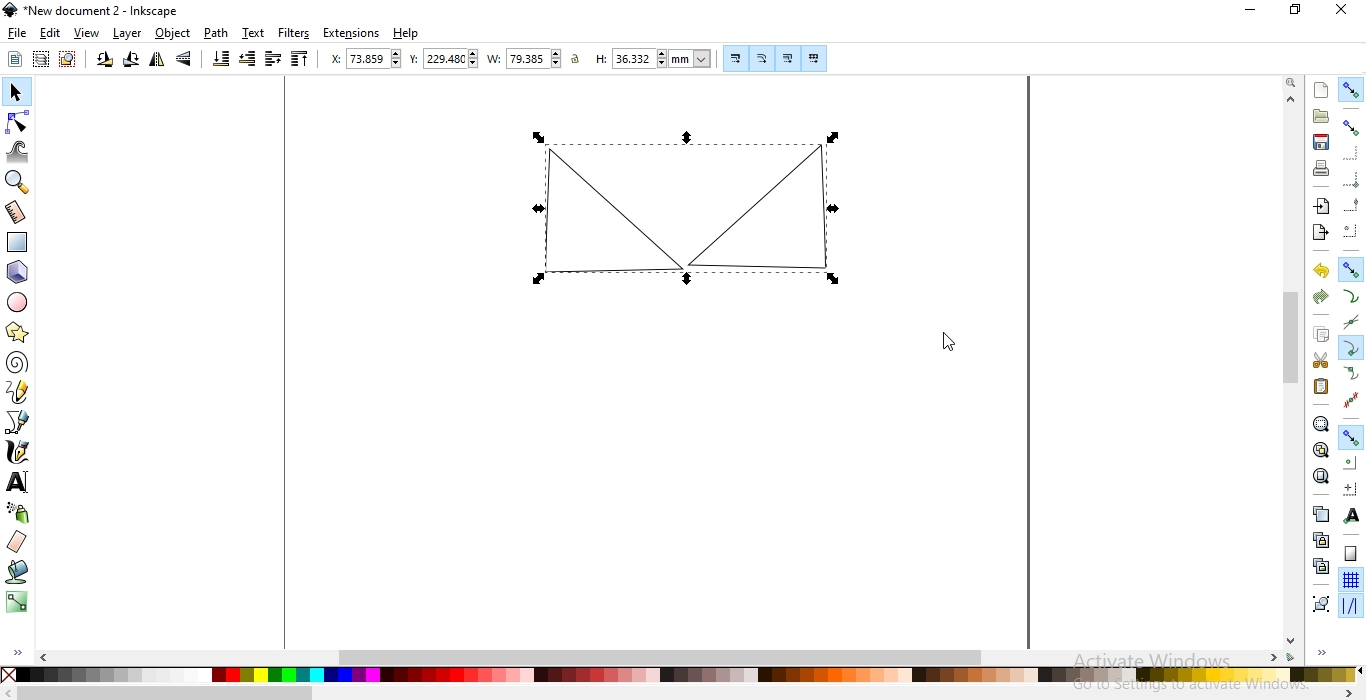 The image size is (1366, 700). Describe the element at coordinates (1353, 153) in the screenshot. I see `snap to edges of bounding boxes` at that location.